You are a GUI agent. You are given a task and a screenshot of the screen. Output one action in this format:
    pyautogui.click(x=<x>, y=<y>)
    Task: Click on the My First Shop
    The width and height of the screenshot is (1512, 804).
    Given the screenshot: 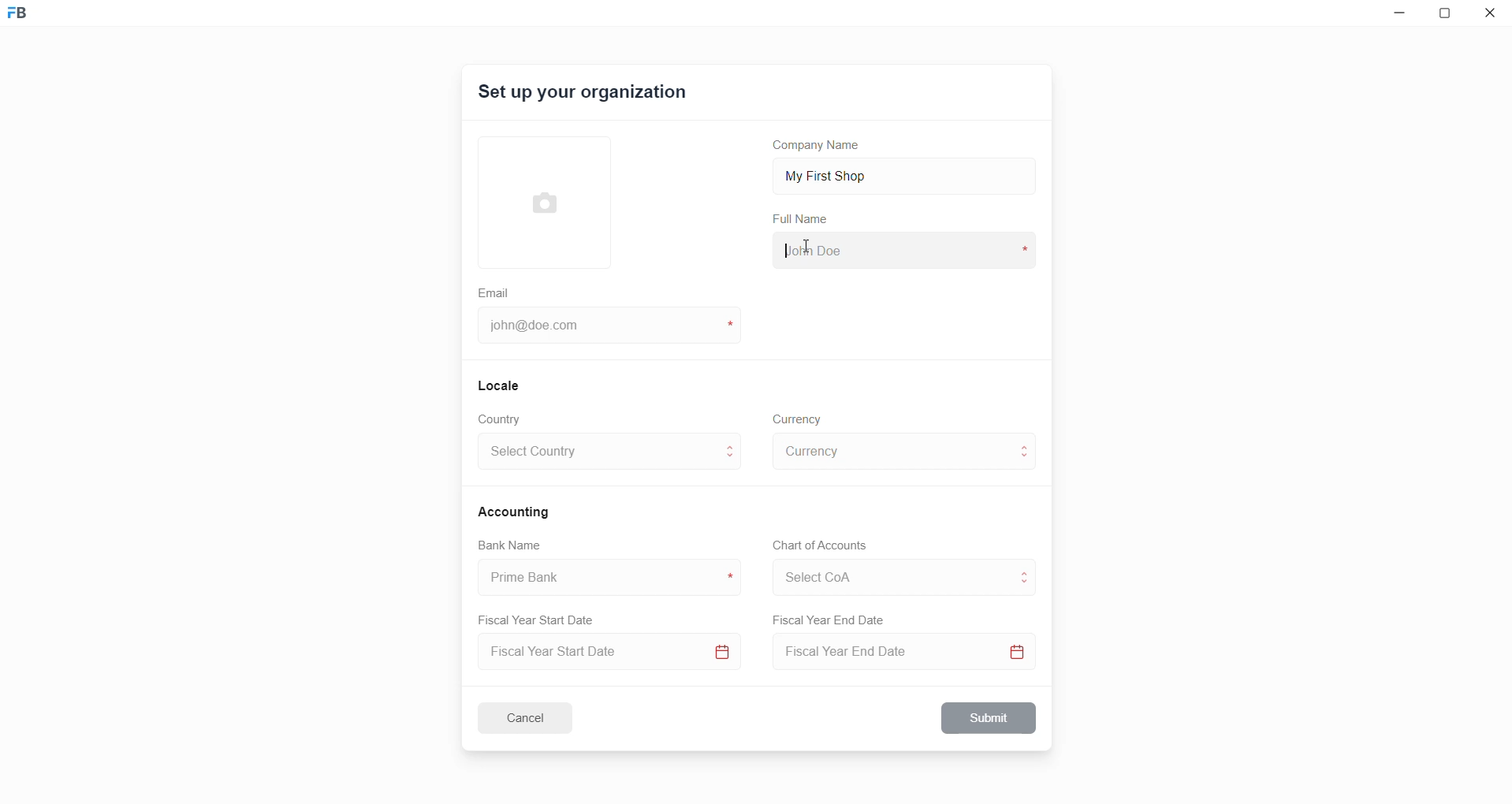 What is the action you would take?
    pyautogui.click(x=851, y=174)
    